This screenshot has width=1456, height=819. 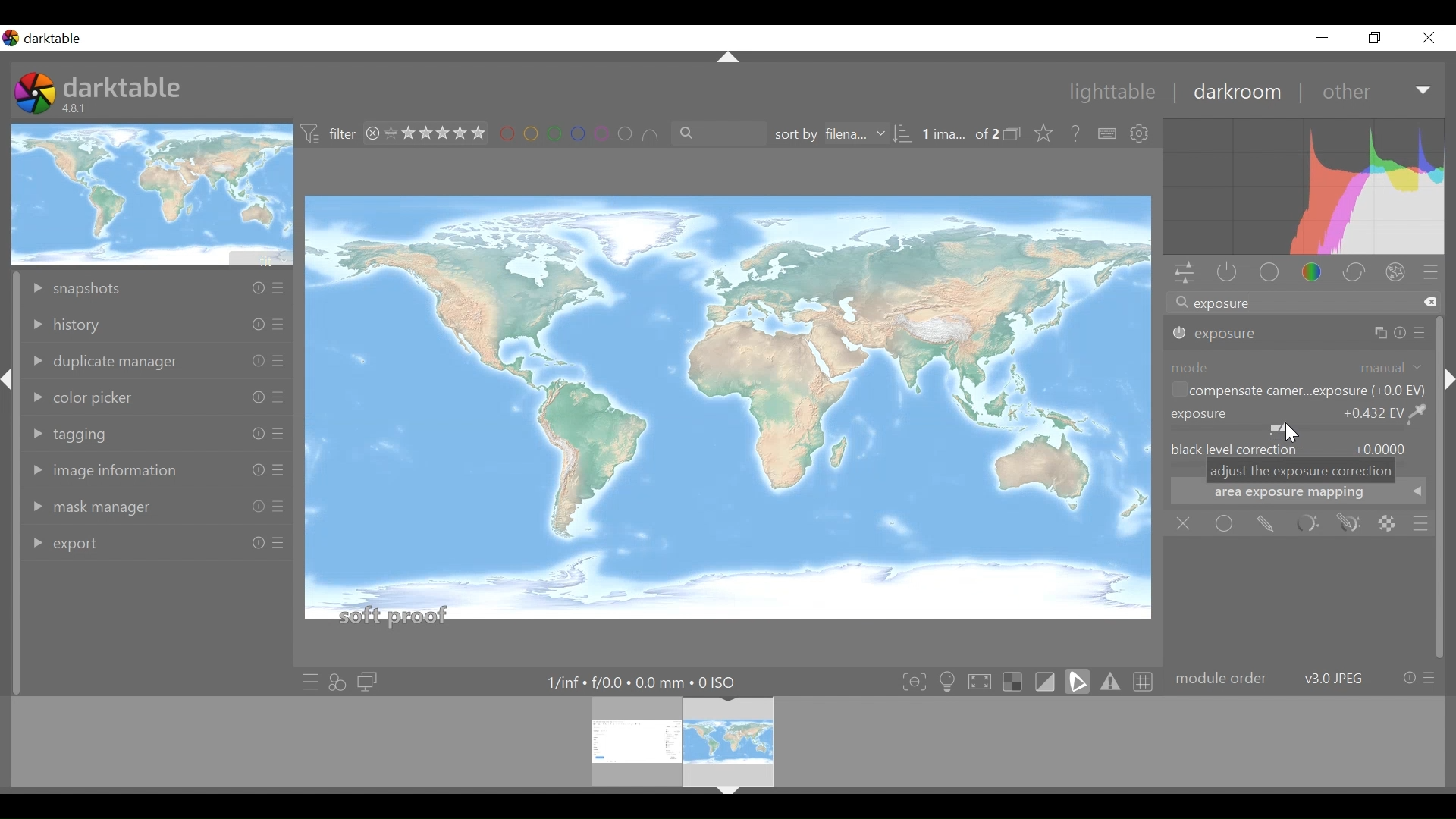 What do you see at coordinates (337, 682) in the screenshot?
I see `quick access for appyling any of styles ` at bounding box center [337, 682].